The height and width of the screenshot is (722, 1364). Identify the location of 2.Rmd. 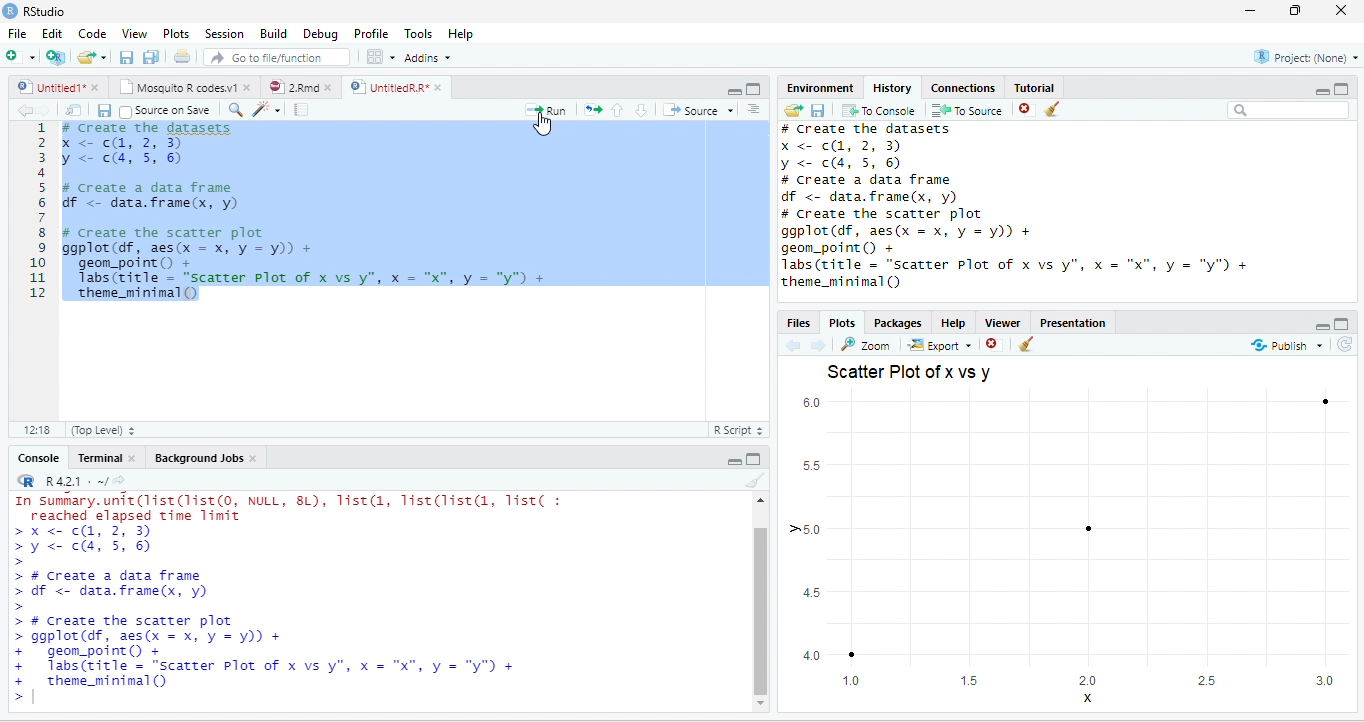
(292, 87).